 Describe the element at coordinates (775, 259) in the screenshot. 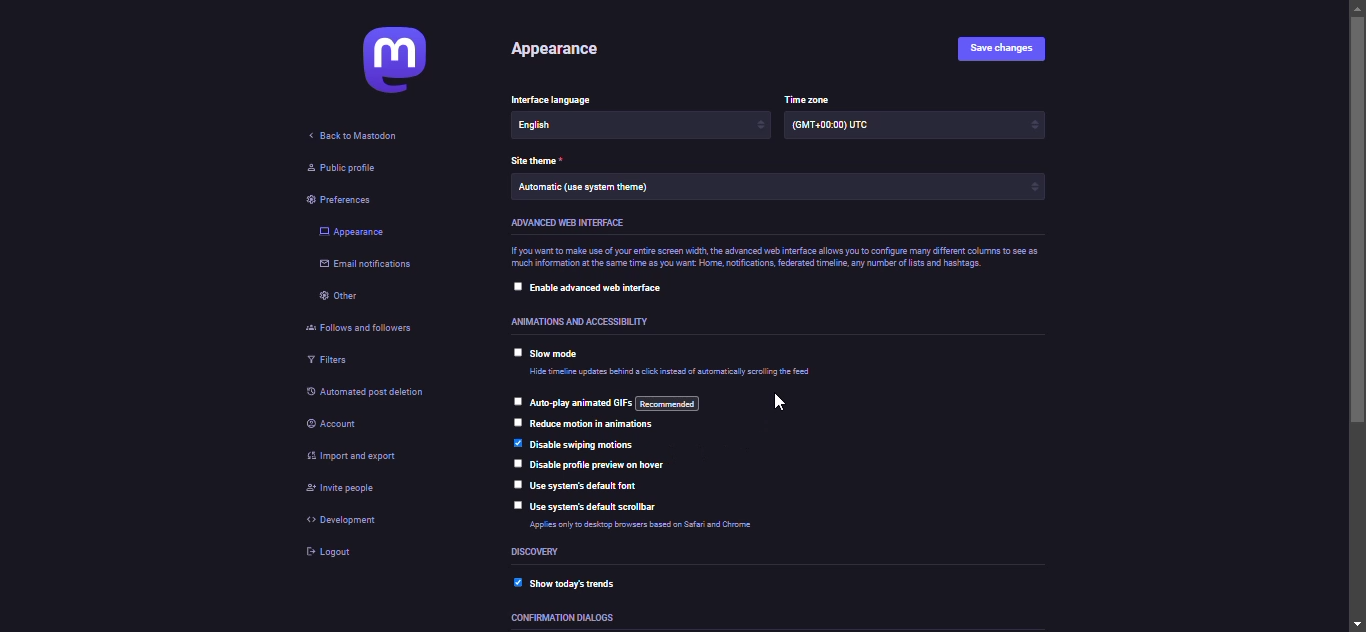

I see `info` at that location.